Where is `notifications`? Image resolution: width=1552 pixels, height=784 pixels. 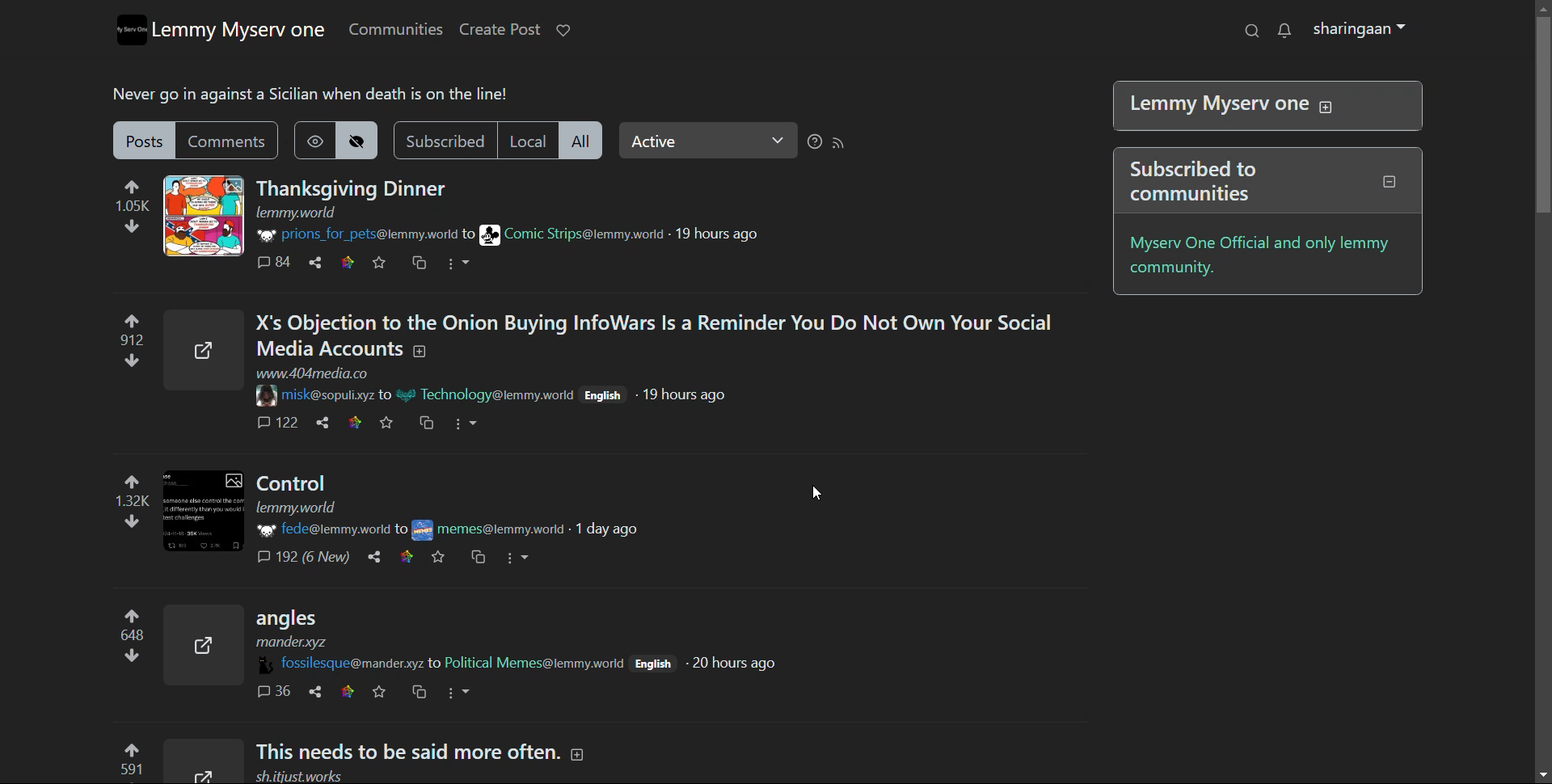 notifications is located at coordinates (1284, 31).